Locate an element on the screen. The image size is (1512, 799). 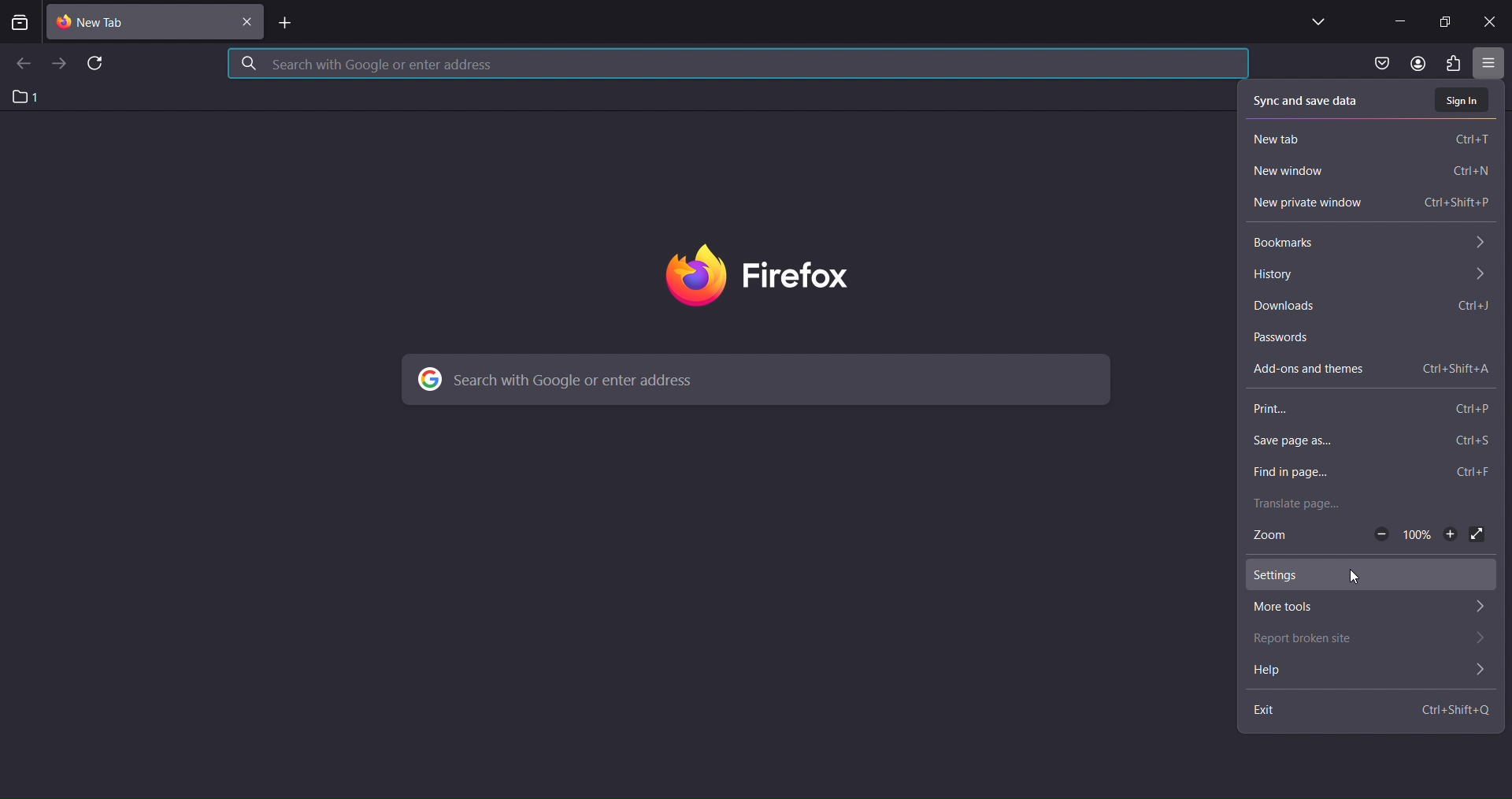
firefox is located at coordinates (752, 273).